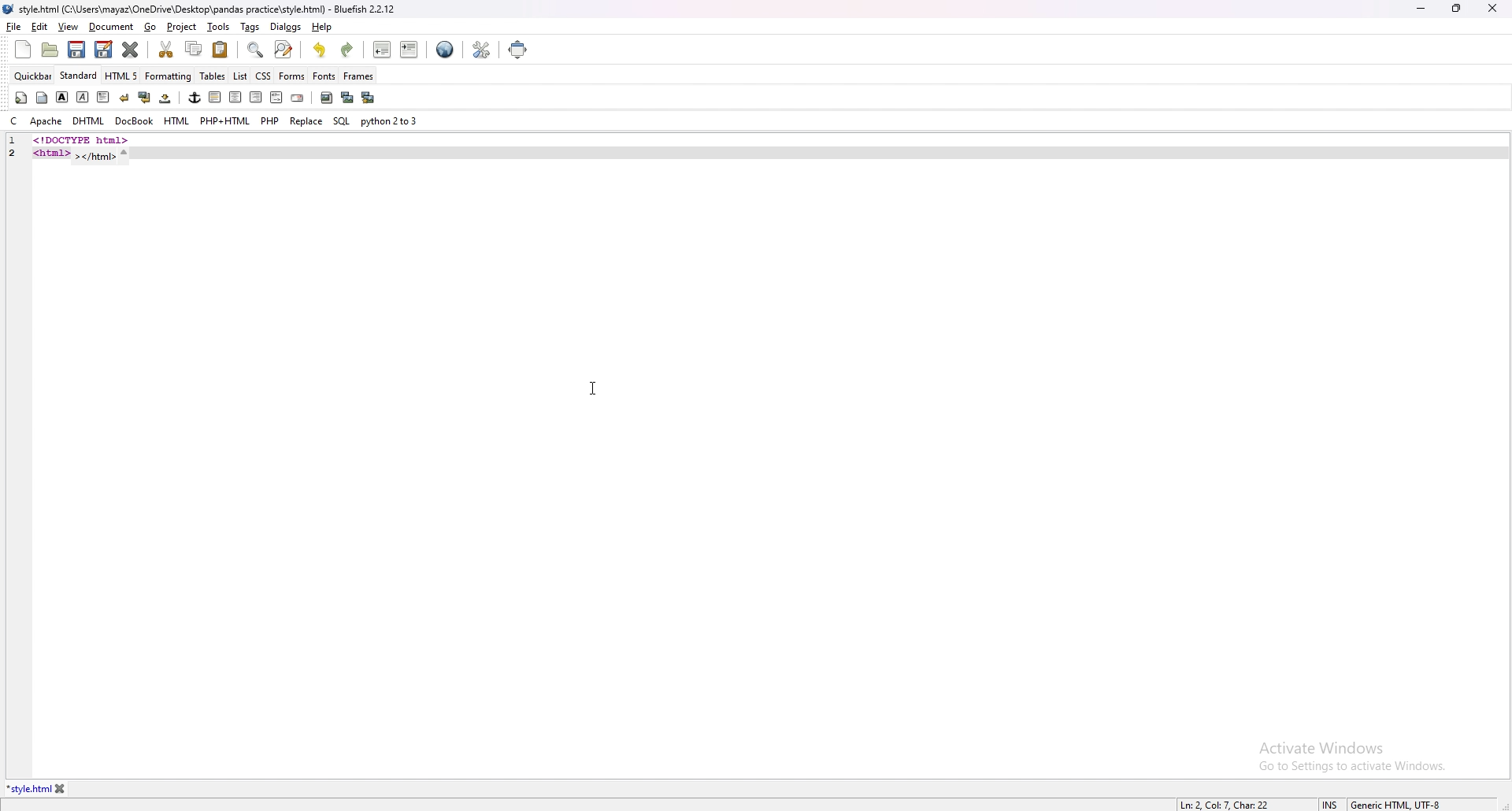 This screenshot has width=1512, height=811. What do you see at coordinates (1330, 804) in the screenshot?
I see `cursor mode` at bounding box center [1330, 804].